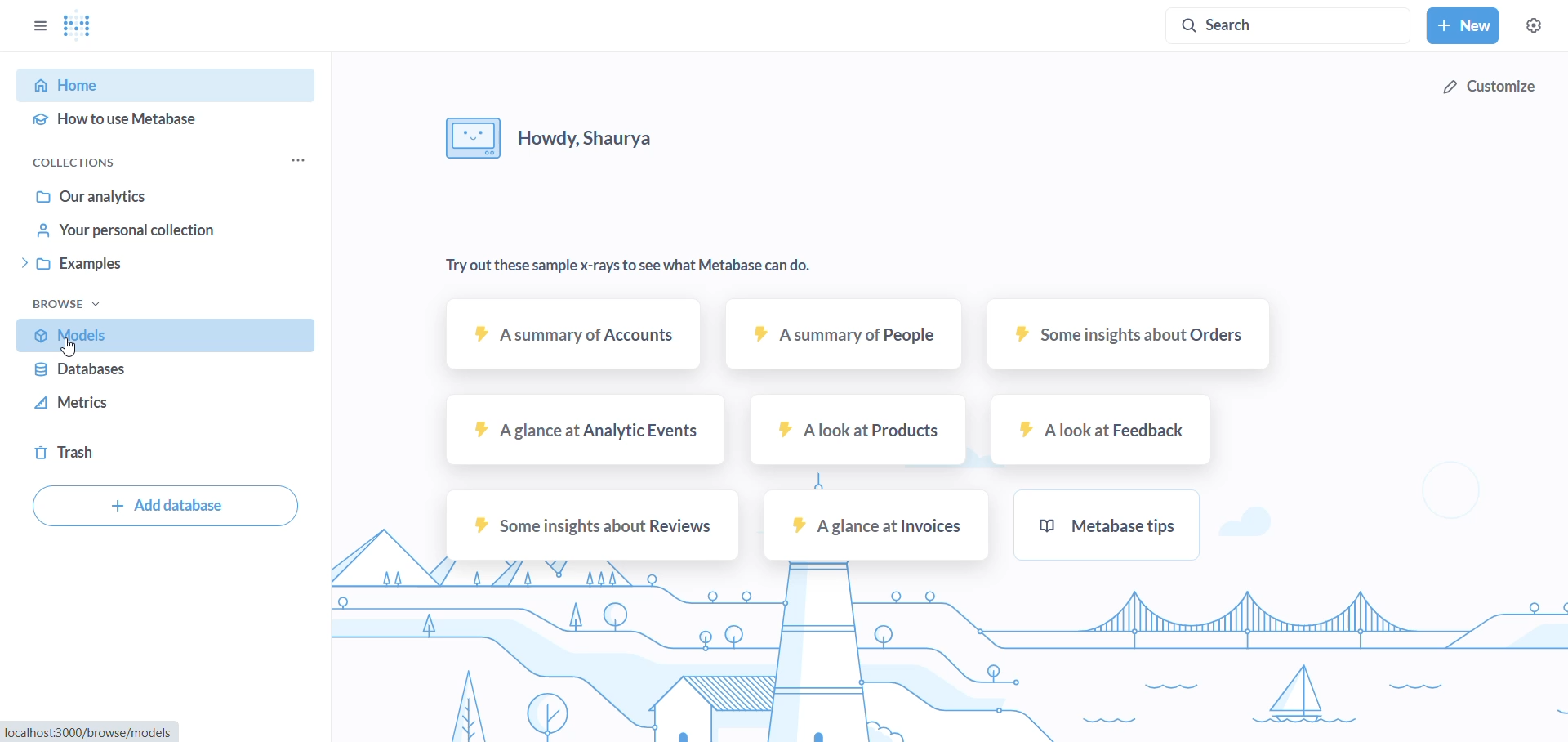  I want to click on how to use, so click(163, 120).